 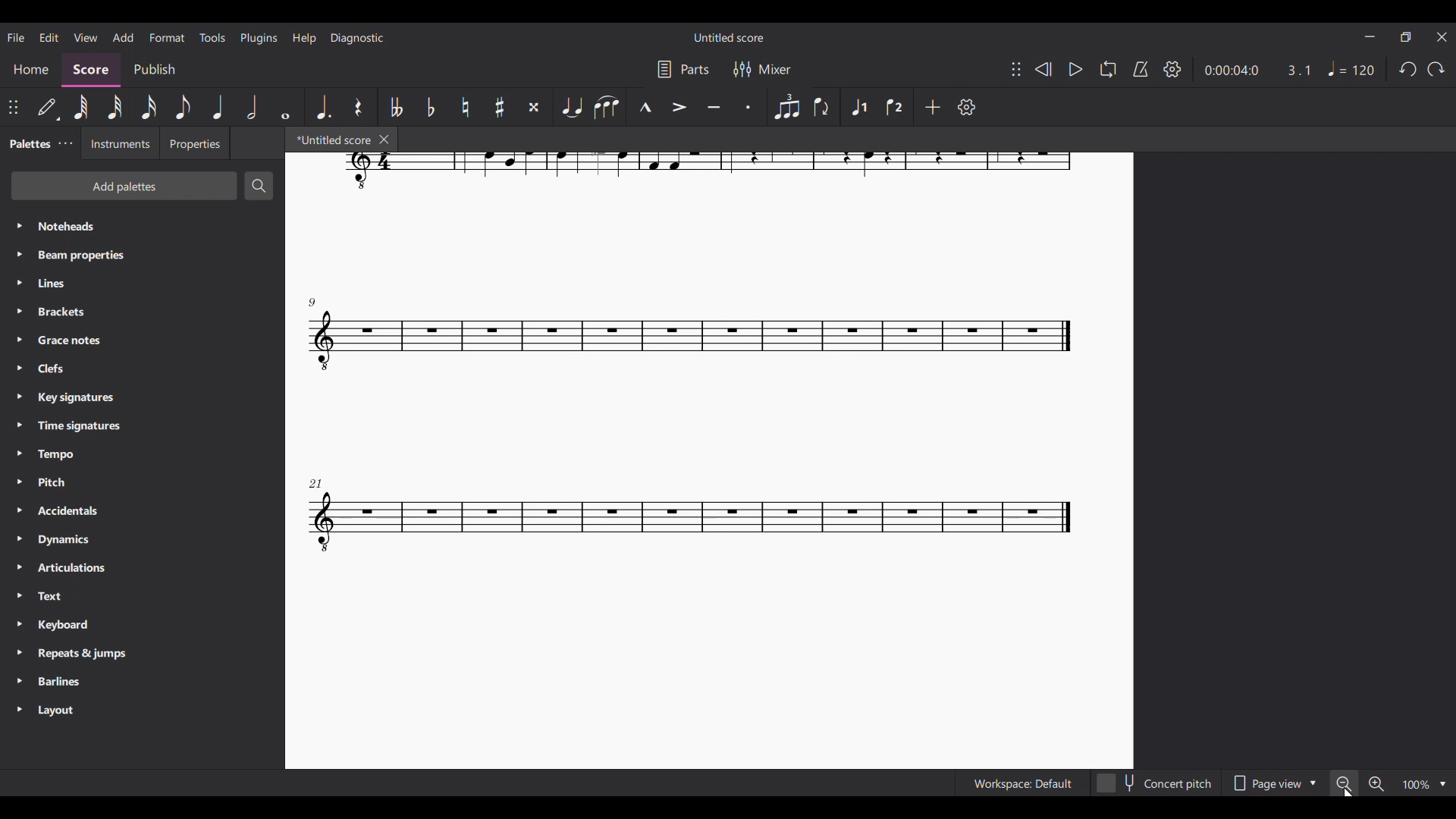 I want to click on Workspace: Default, so click(x=1021, y=783).